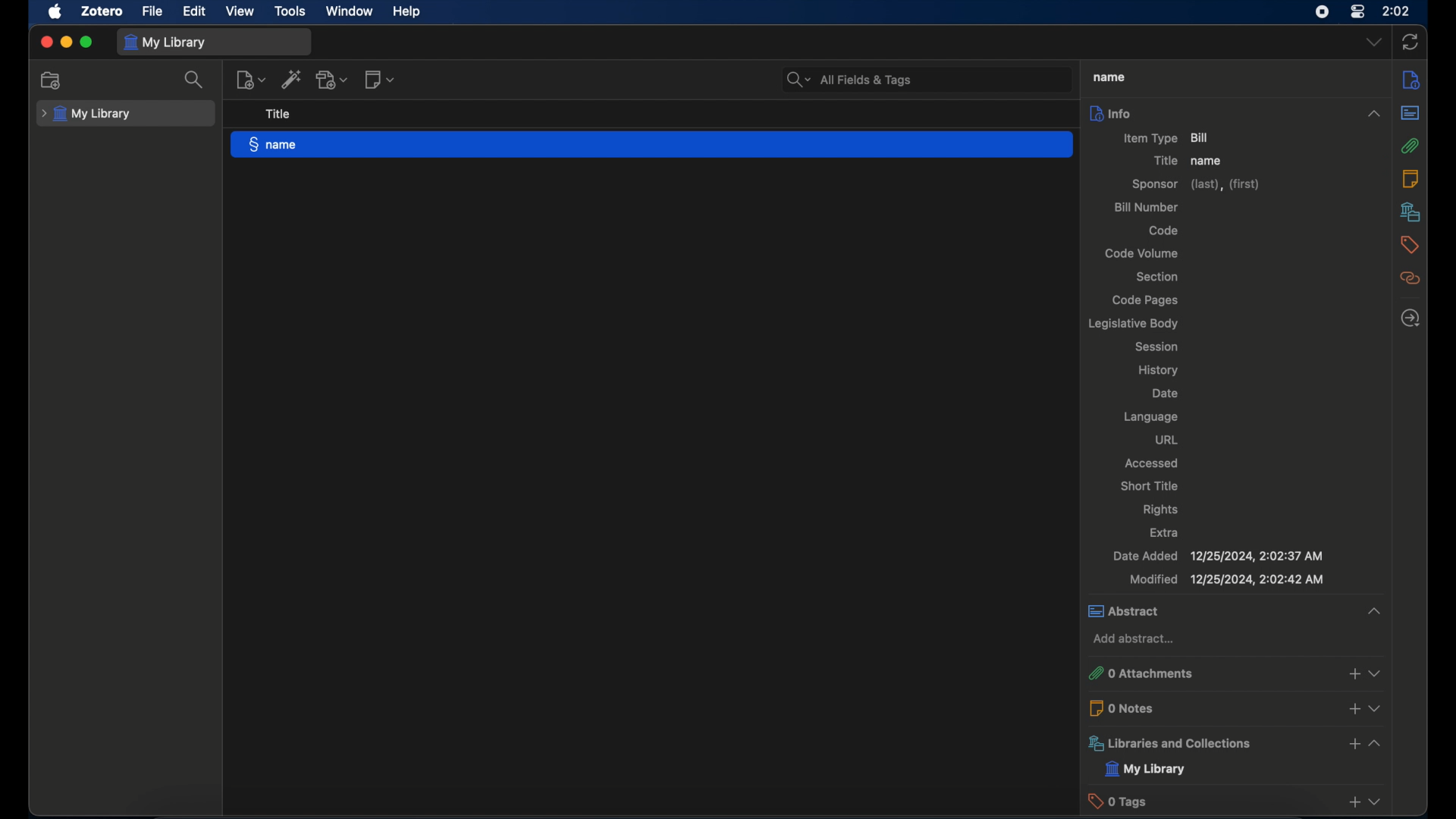 The image size is (1456, 819). I want to click on libraries, so click(1410, 212).